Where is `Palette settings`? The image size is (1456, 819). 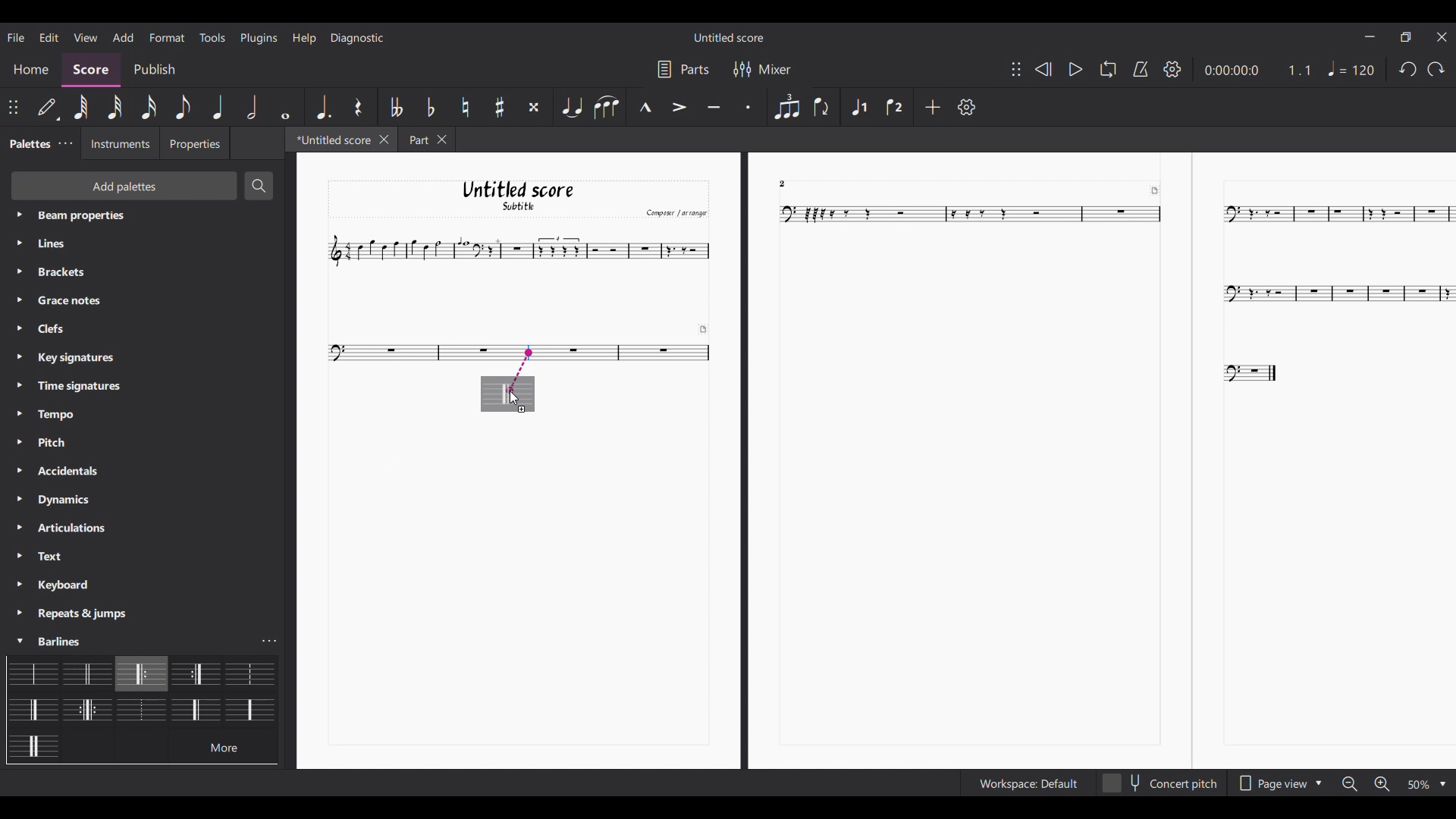
Palette settings is located at coordinates (61, 530).